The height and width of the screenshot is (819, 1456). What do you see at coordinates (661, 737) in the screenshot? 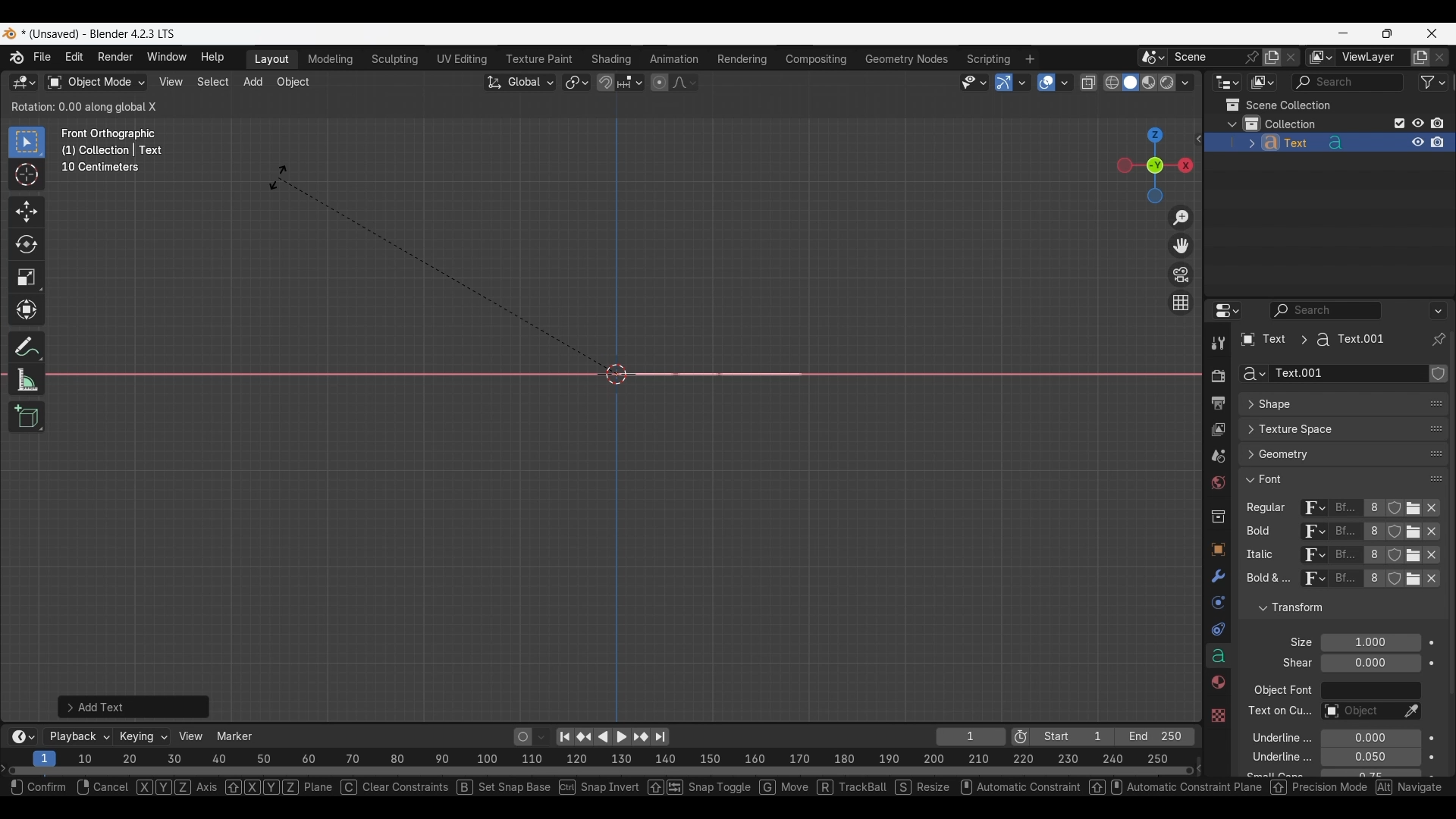
I see `Jump to end point` at bounding box center [661, 737].